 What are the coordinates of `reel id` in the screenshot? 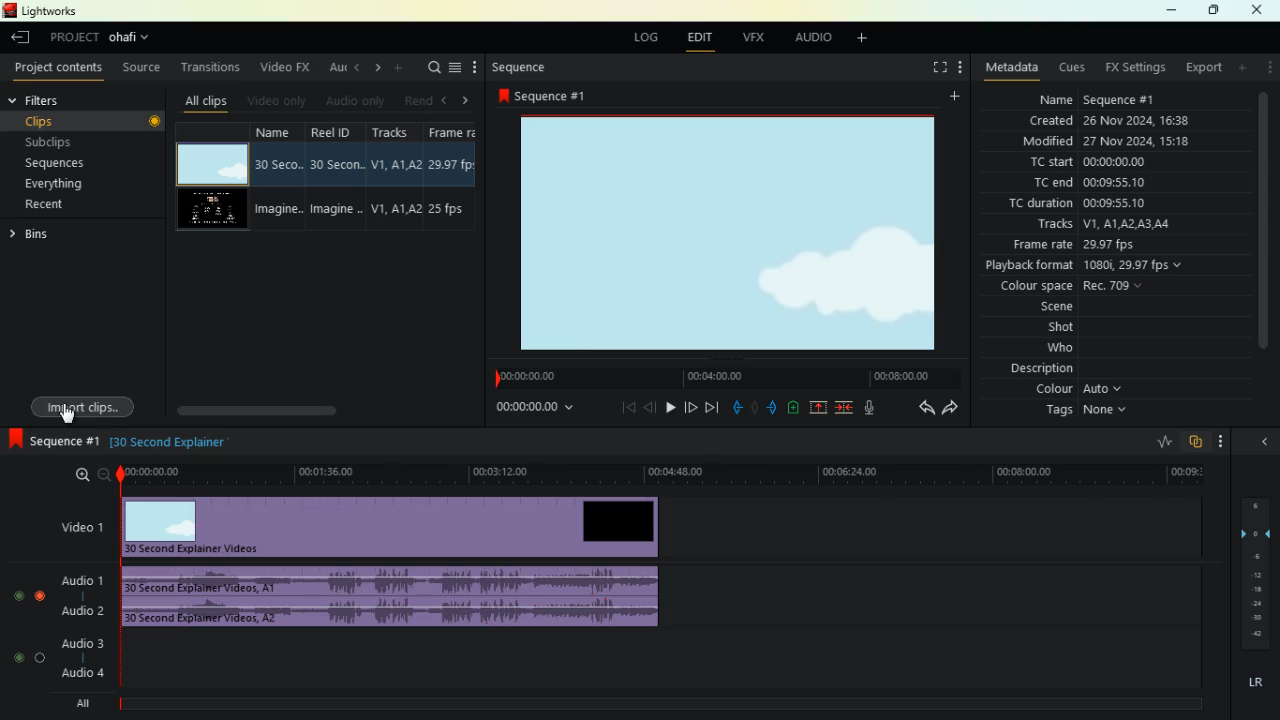 It's located at (339, 178).